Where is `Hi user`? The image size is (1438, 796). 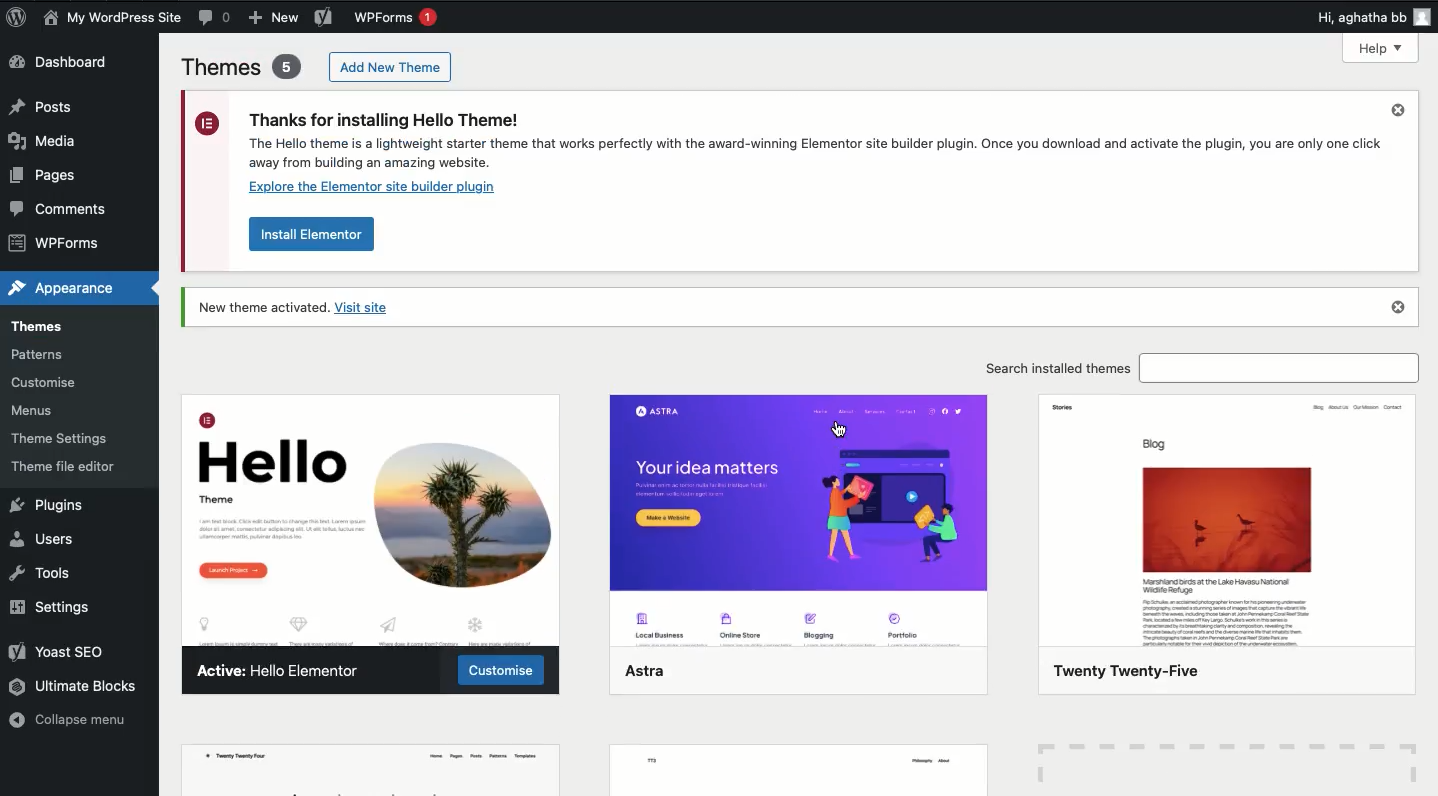
Hi user is located at coordinates (1375, 16).